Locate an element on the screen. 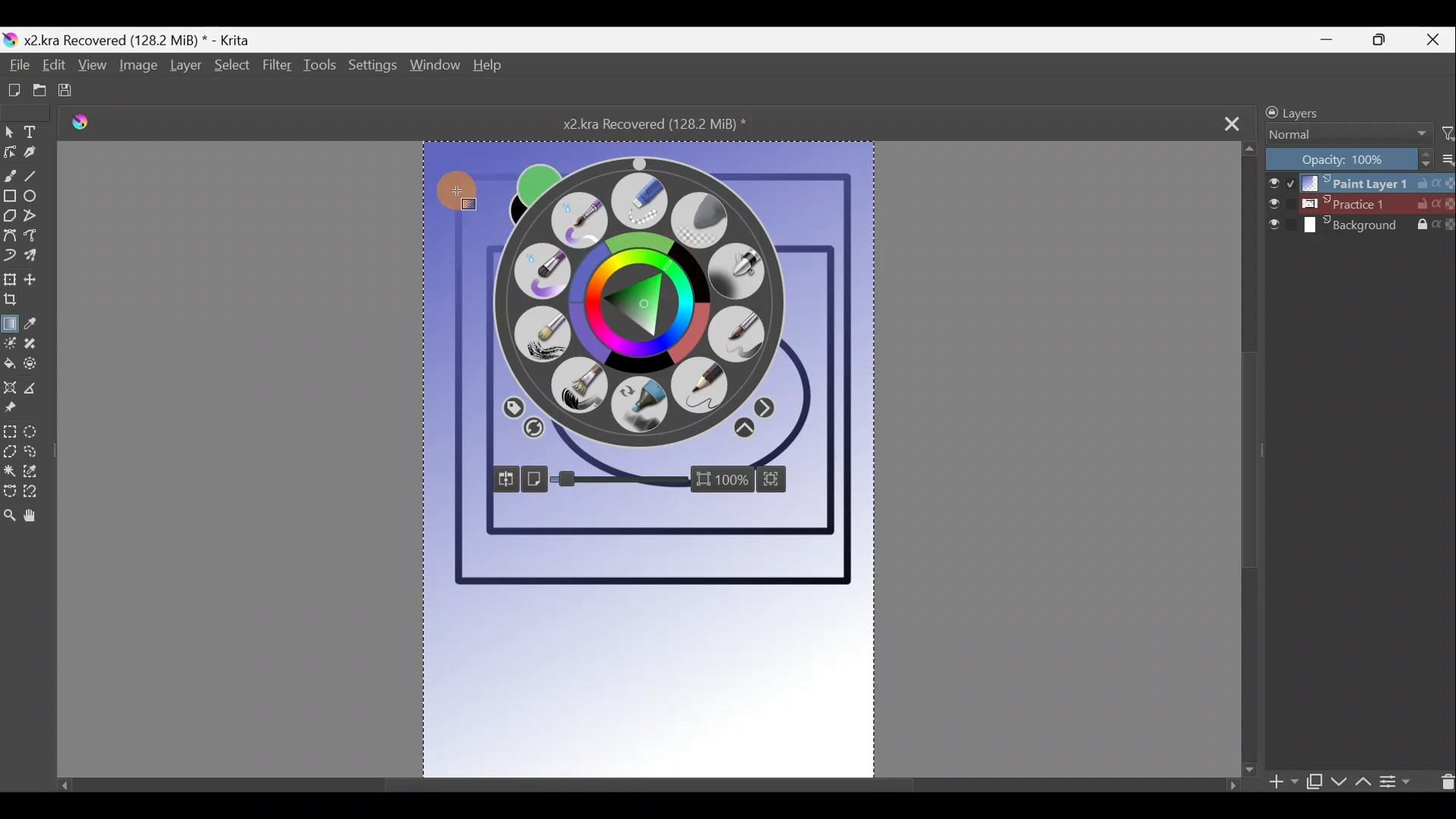  Opacity is located at coordinates (768, 407).